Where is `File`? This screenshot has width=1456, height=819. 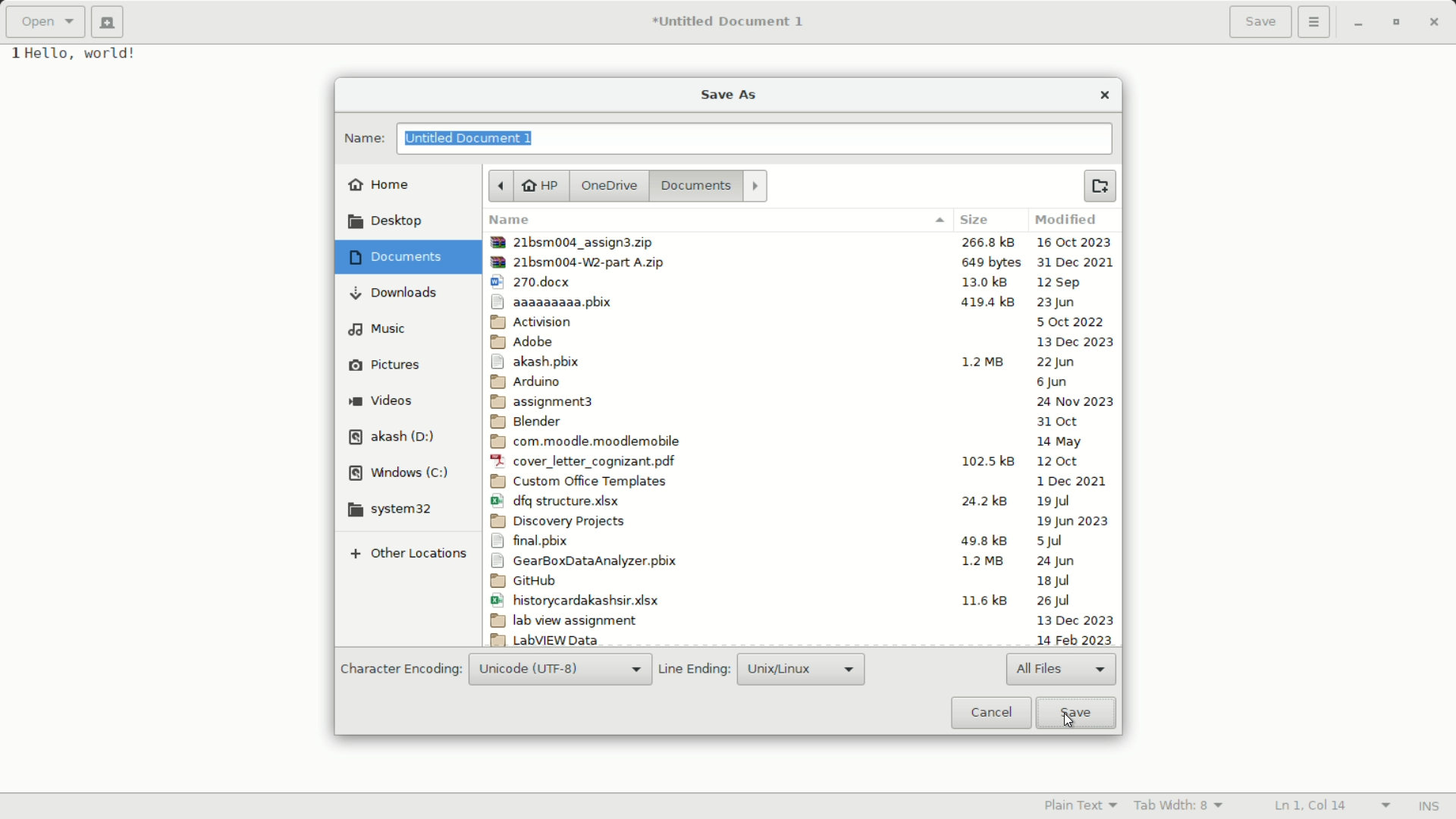 File is located at coordinates (802, 482).